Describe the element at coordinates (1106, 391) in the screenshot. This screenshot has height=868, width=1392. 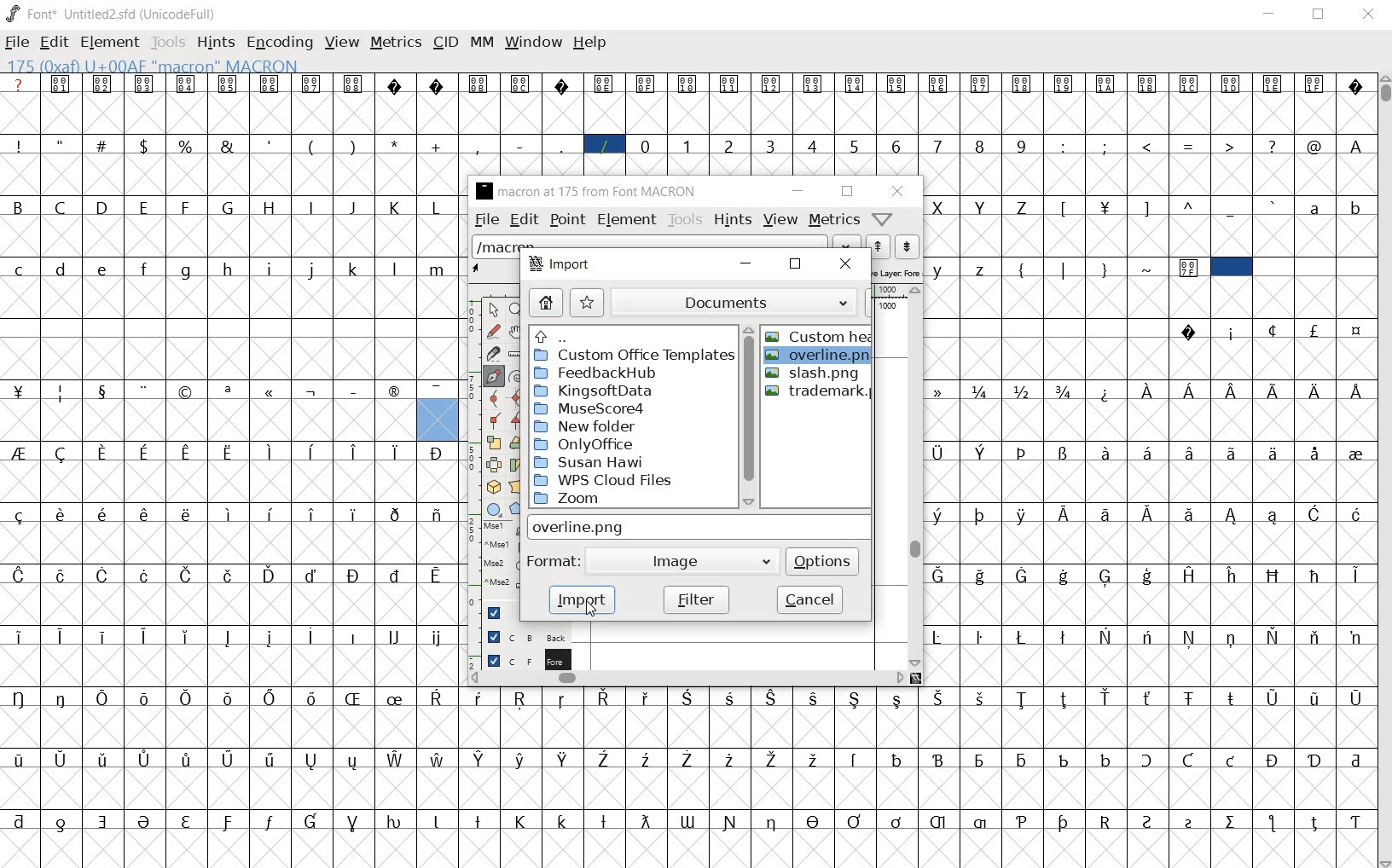
I see `Symbol` at that location.